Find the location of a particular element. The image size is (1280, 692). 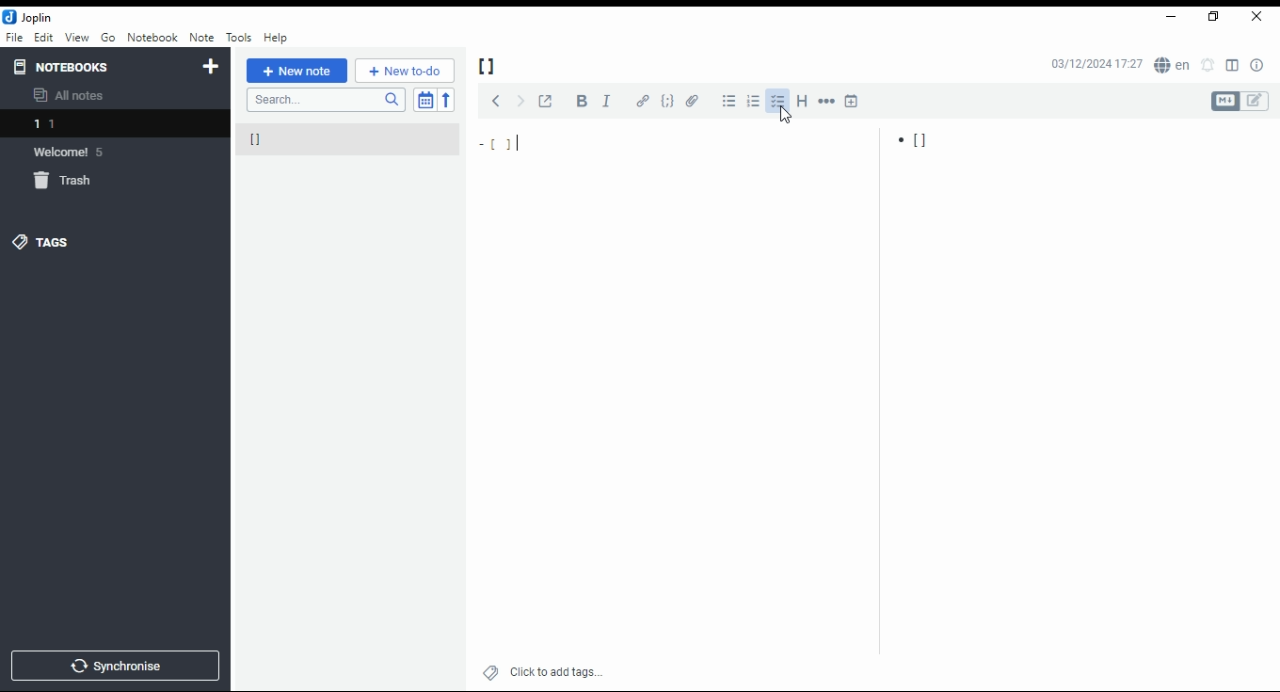

03/12/2024 17:27 is located at coordinates (1096, 64).